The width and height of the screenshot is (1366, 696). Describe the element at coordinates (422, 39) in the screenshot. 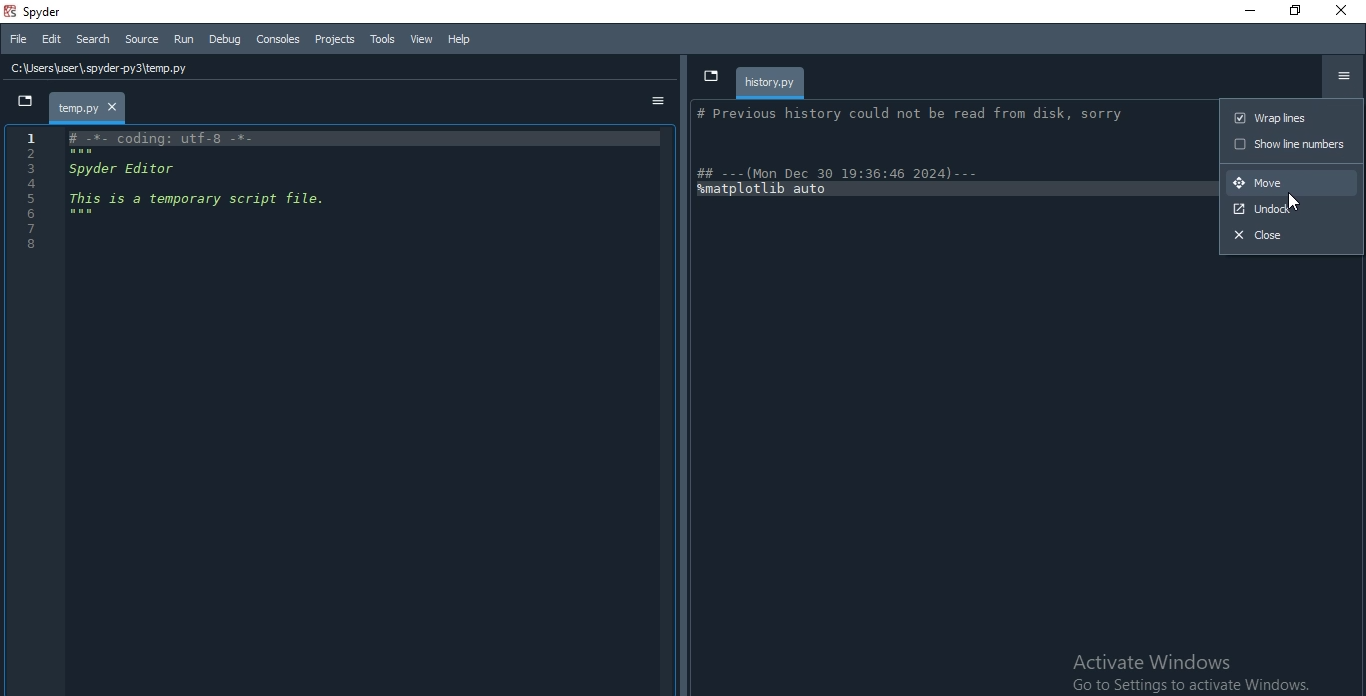

I see `View` at that location.